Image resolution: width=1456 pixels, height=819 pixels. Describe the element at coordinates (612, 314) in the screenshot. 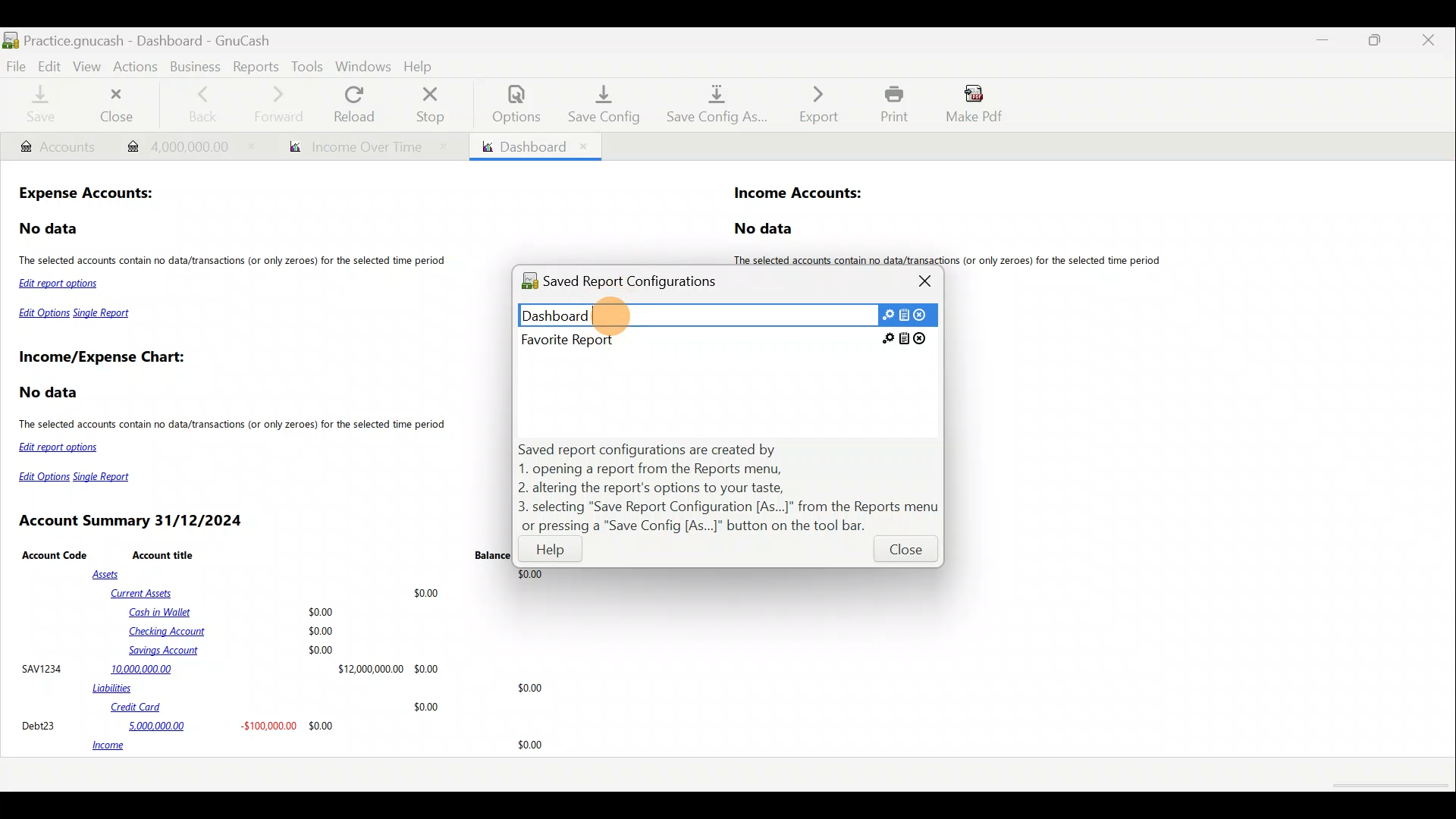

I see `Cursor` at that location.